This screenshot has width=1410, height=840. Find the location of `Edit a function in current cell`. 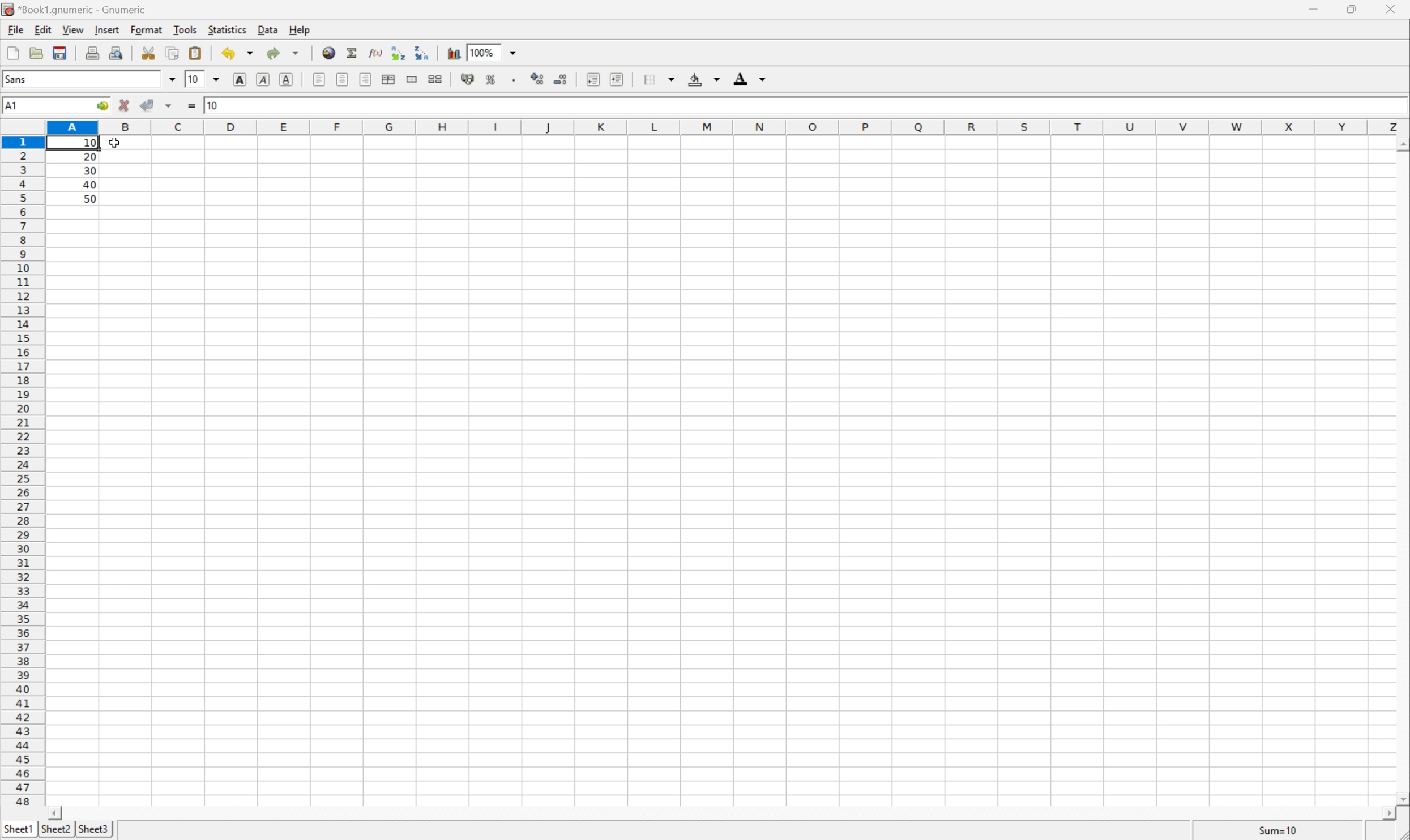

Edit a function in current cell is located at coordinates (378, 52).